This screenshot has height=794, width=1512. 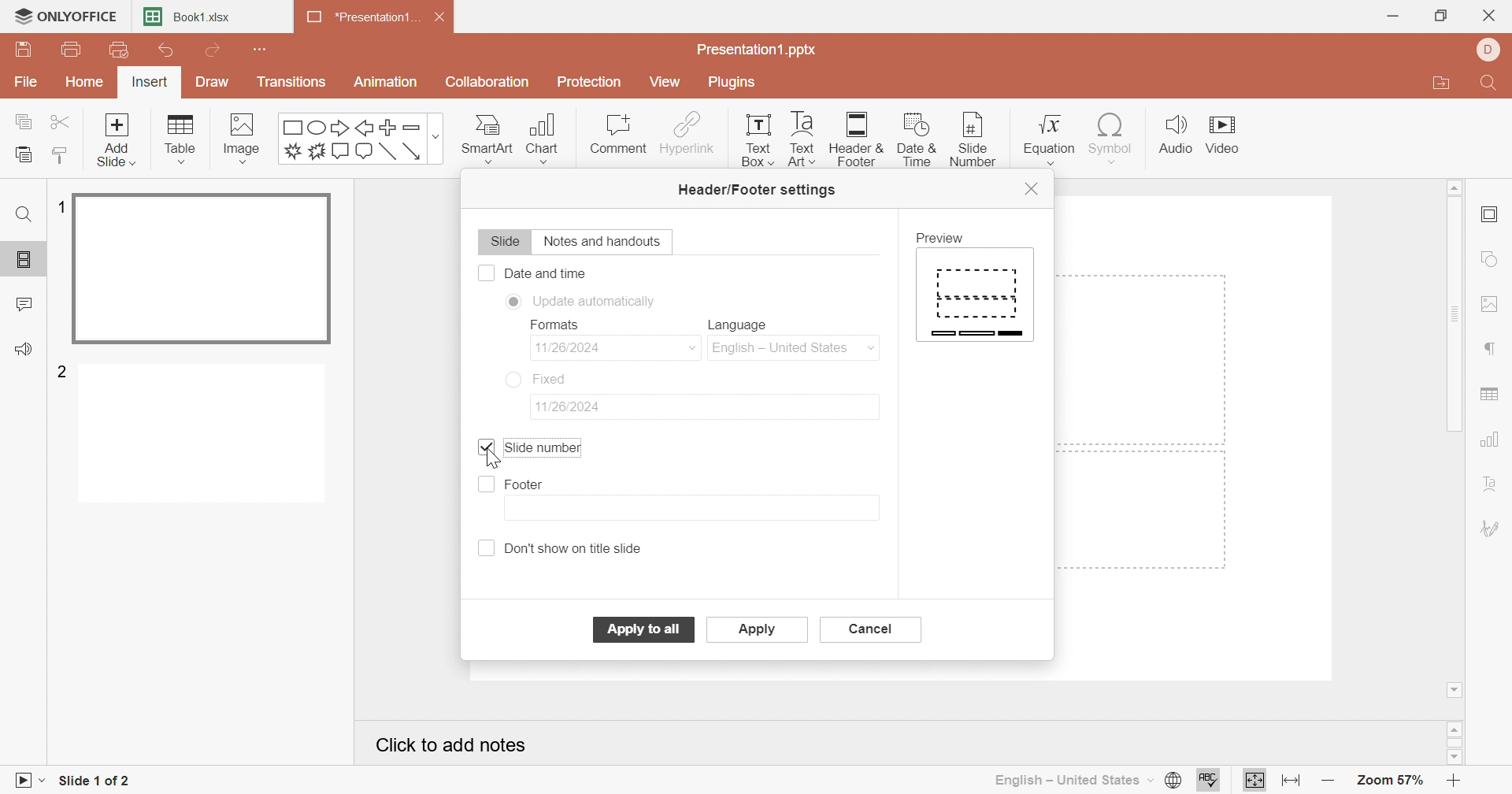 What do you see at coordinates (758, 631) in the screenshot?
I see `Apply` at bounding box center [758, 631].